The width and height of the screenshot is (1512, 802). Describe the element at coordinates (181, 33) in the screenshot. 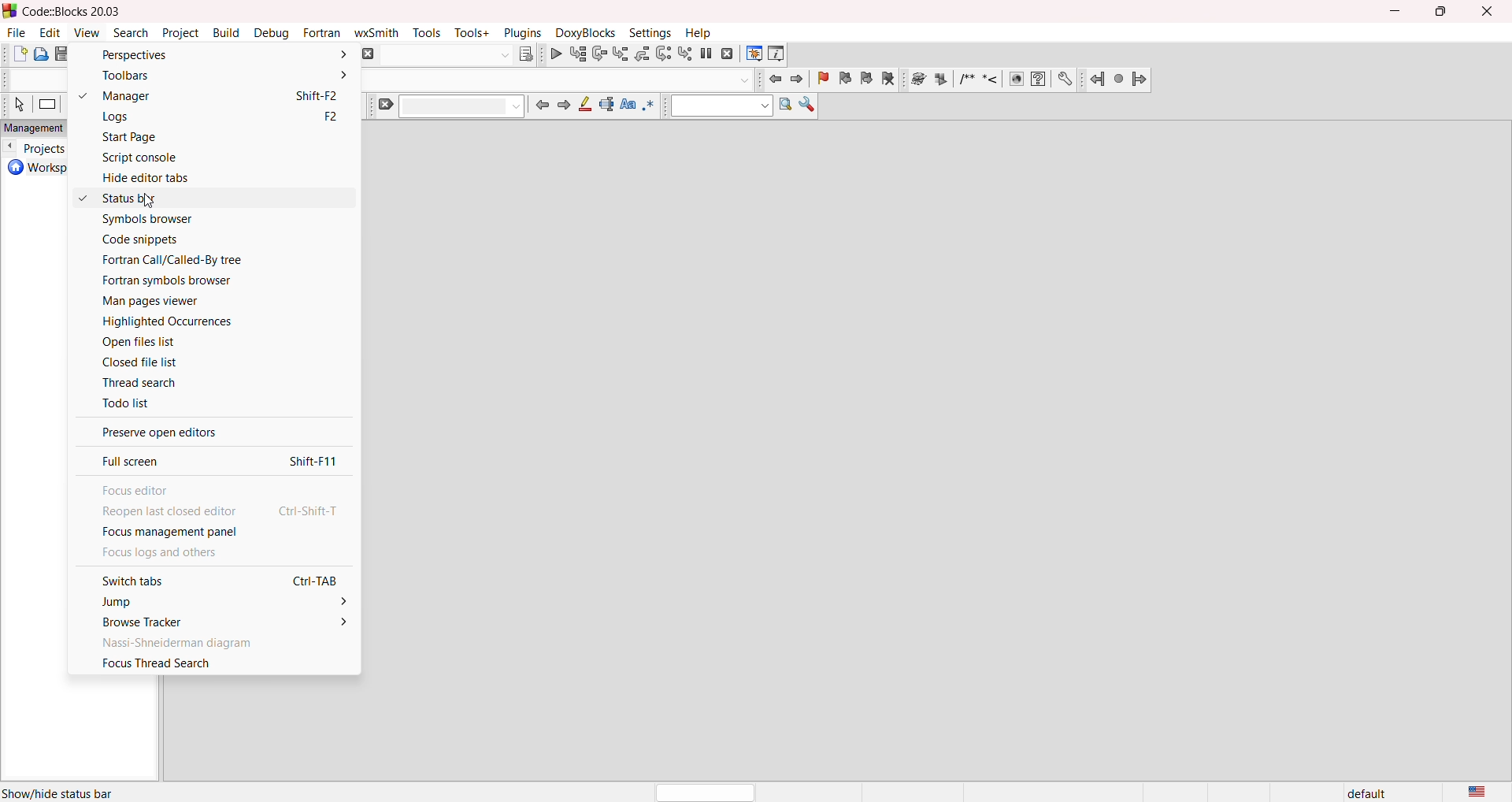

I see `project` at that location.